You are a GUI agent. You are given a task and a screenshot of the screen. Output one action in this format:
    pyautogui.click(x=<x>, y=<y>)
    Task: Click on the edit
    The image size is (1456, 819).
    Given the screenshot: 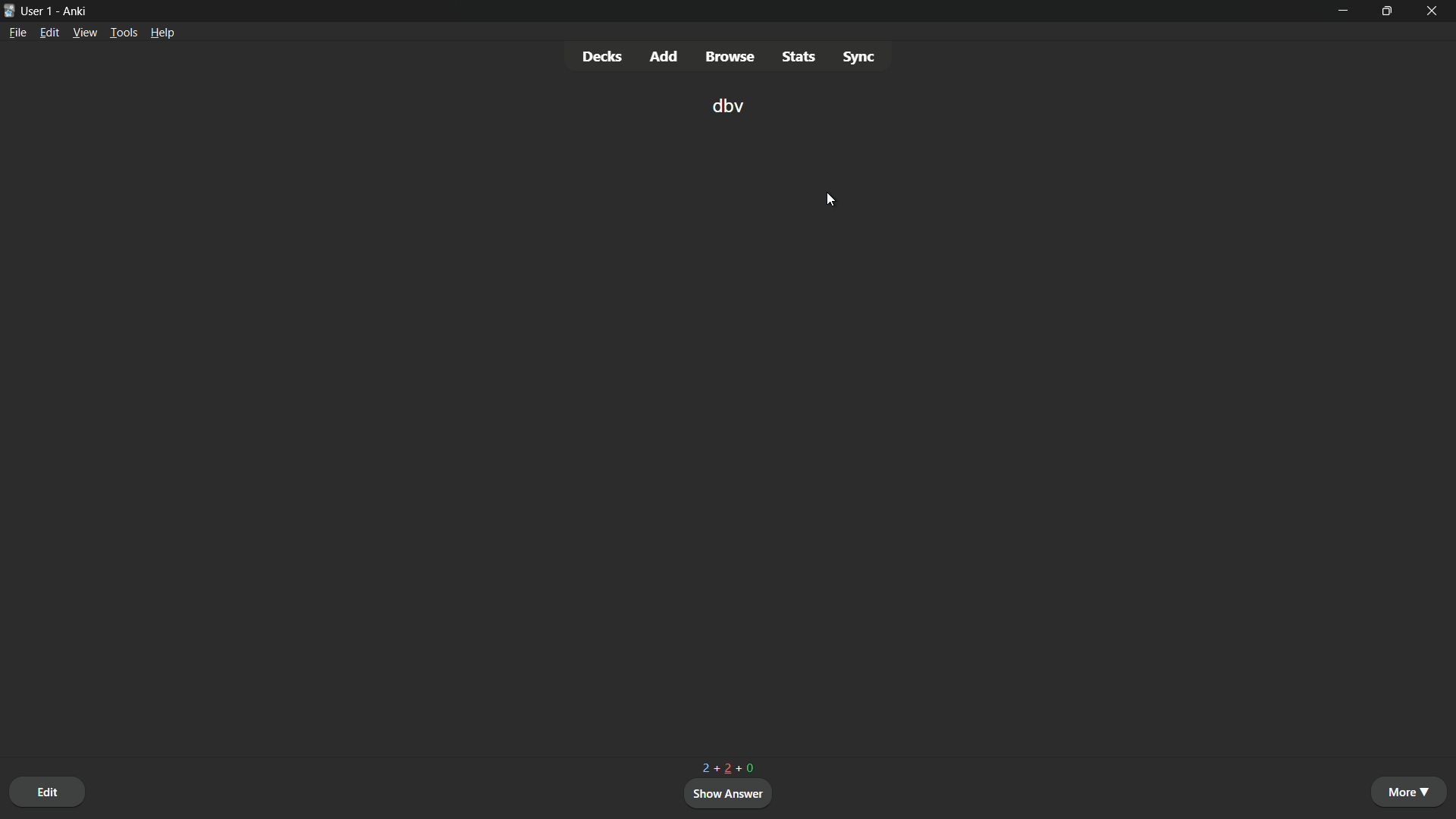 What is the action you would take?
    pyautogui.click(x=51, y=32)
    